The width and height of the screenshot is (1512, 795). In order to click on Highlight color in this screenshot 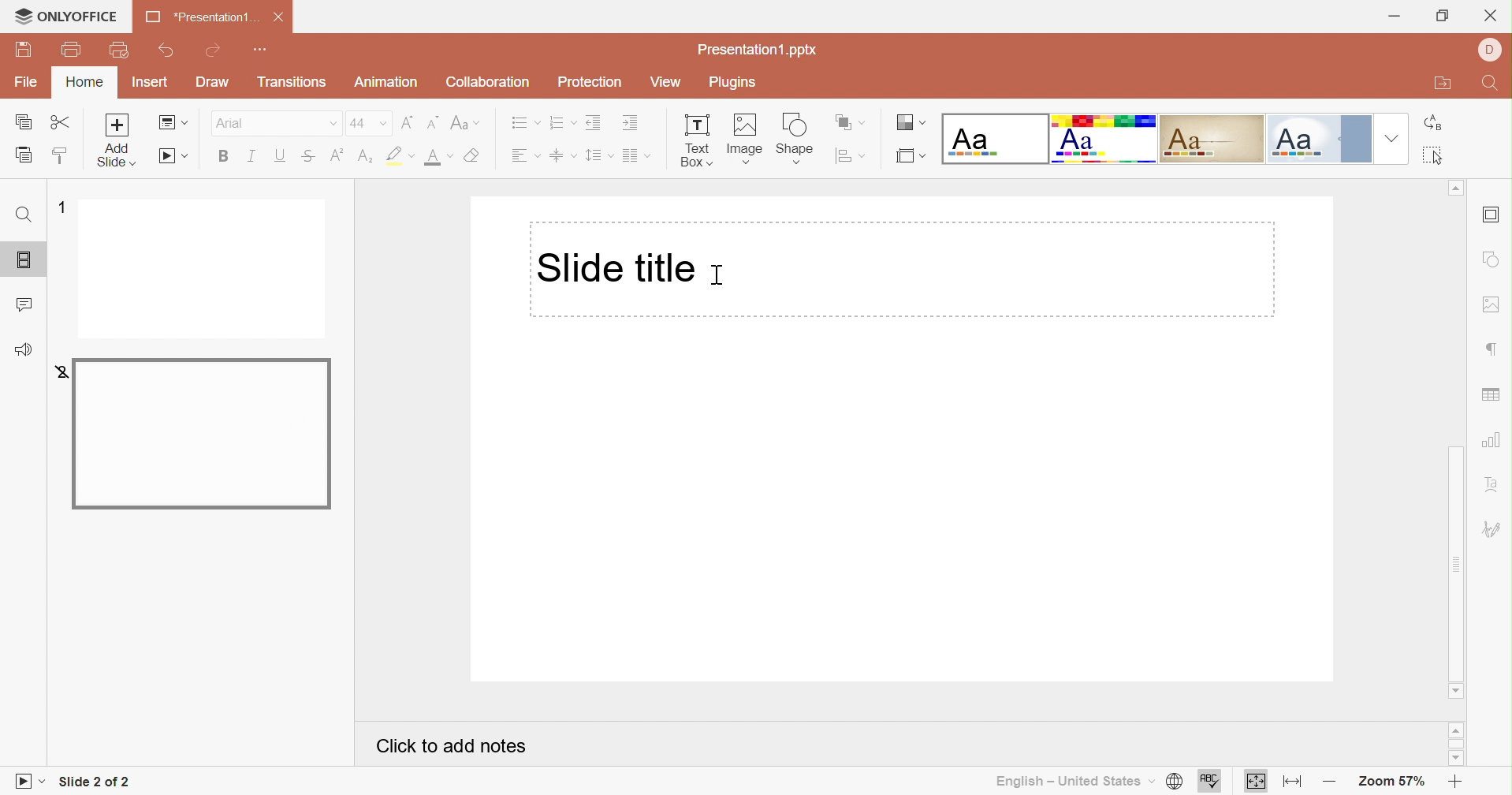, I will do `click(367, 157)`.